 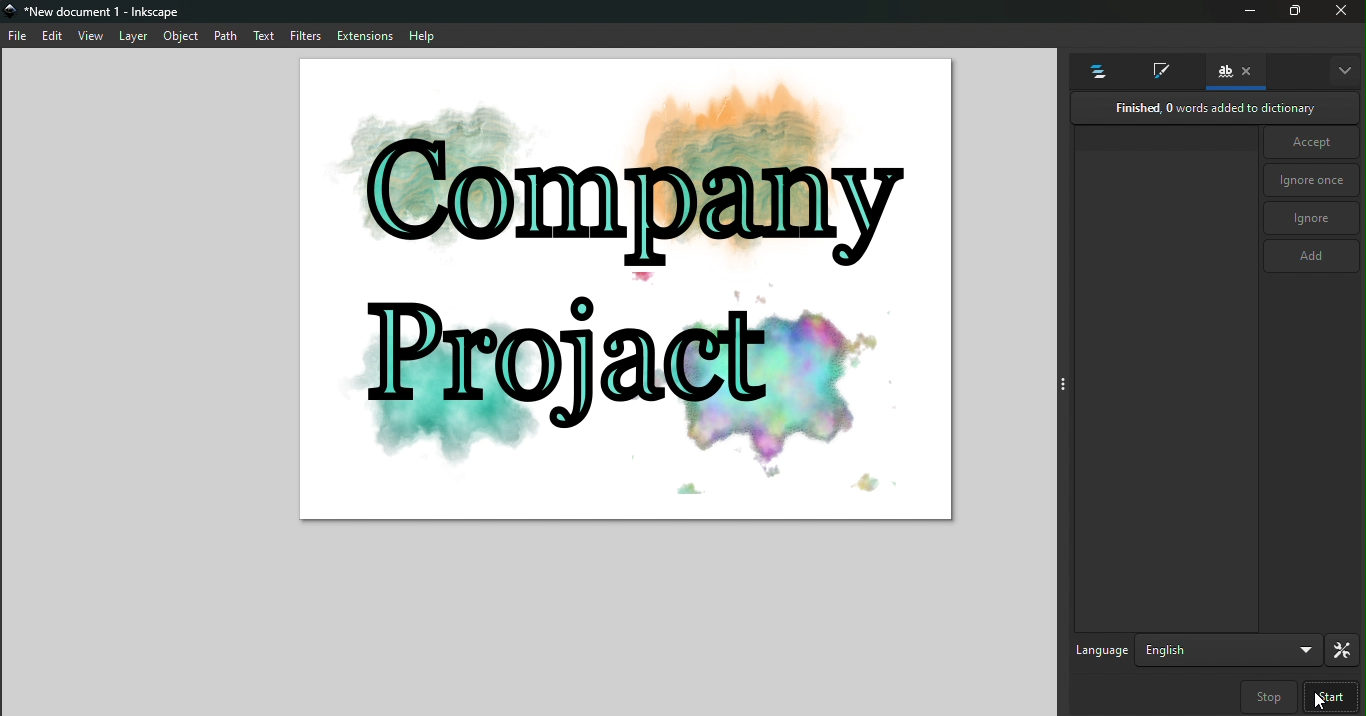 I want to click on Drop down, so click(x=1228, y=650).